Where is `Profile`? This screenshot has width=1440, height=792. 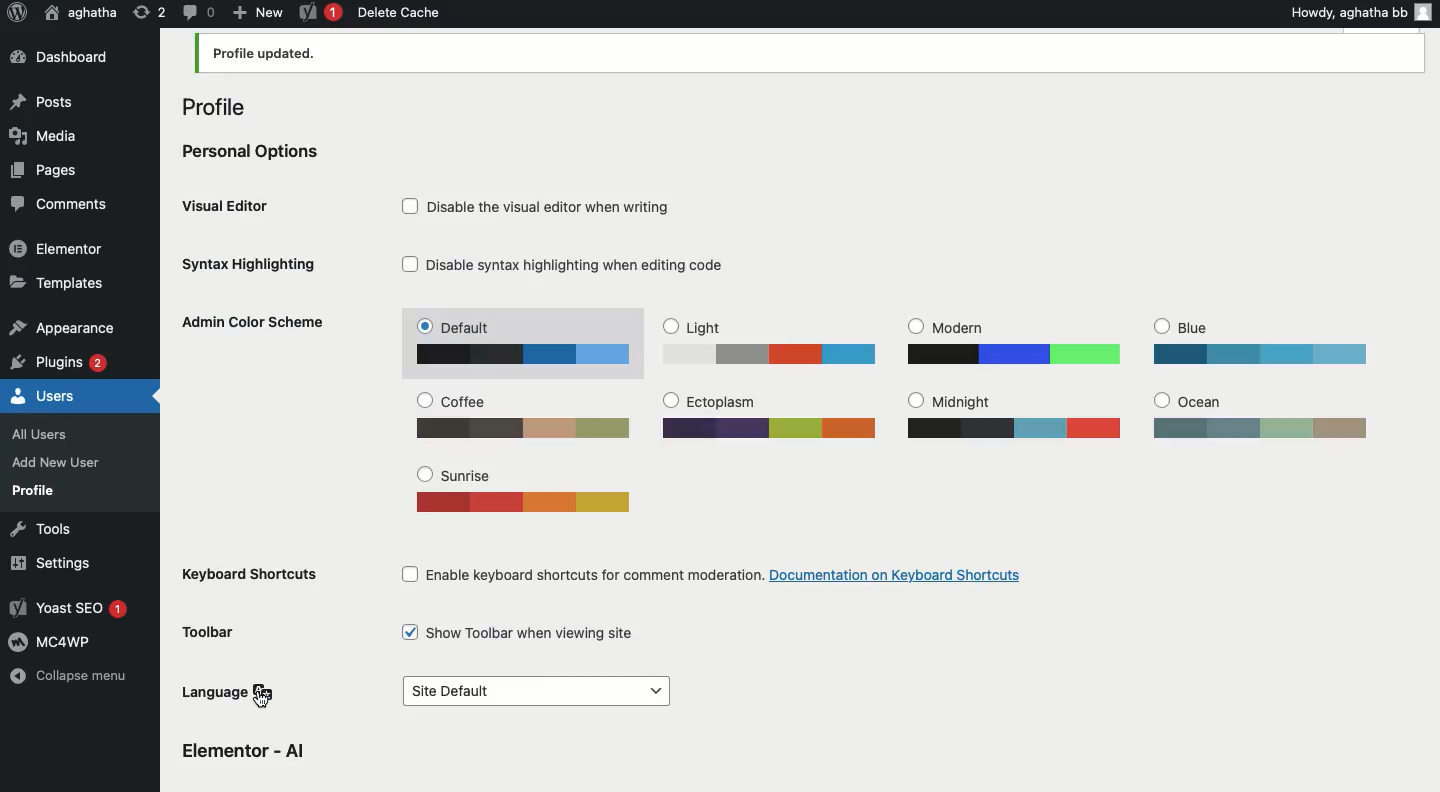
Profile is located at coordinates (34, 490).